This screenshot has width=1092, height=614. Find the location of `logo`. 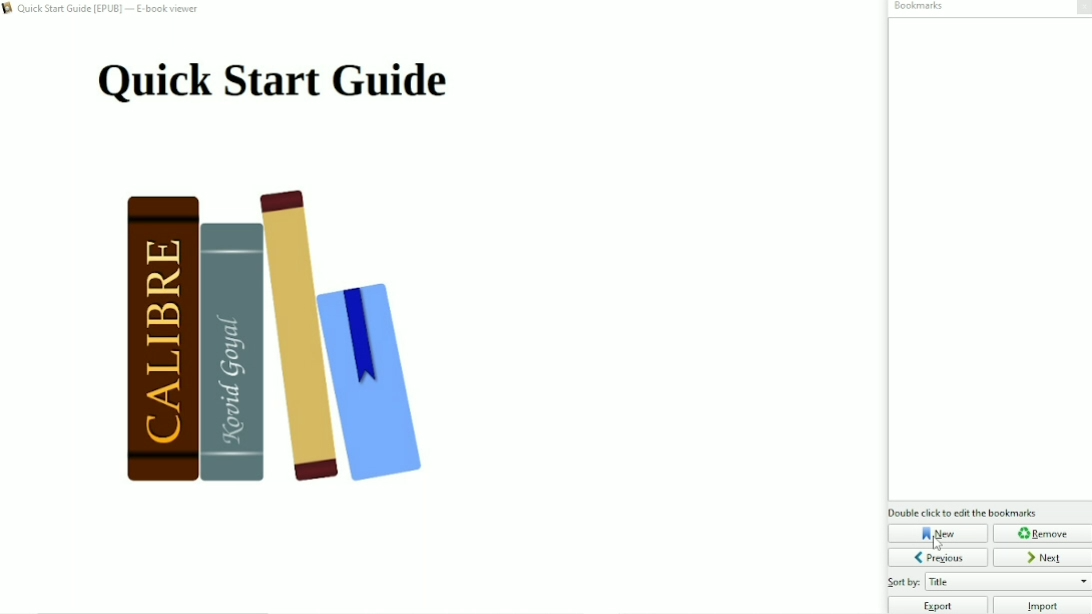

logo is located at coordinates (8, 10).